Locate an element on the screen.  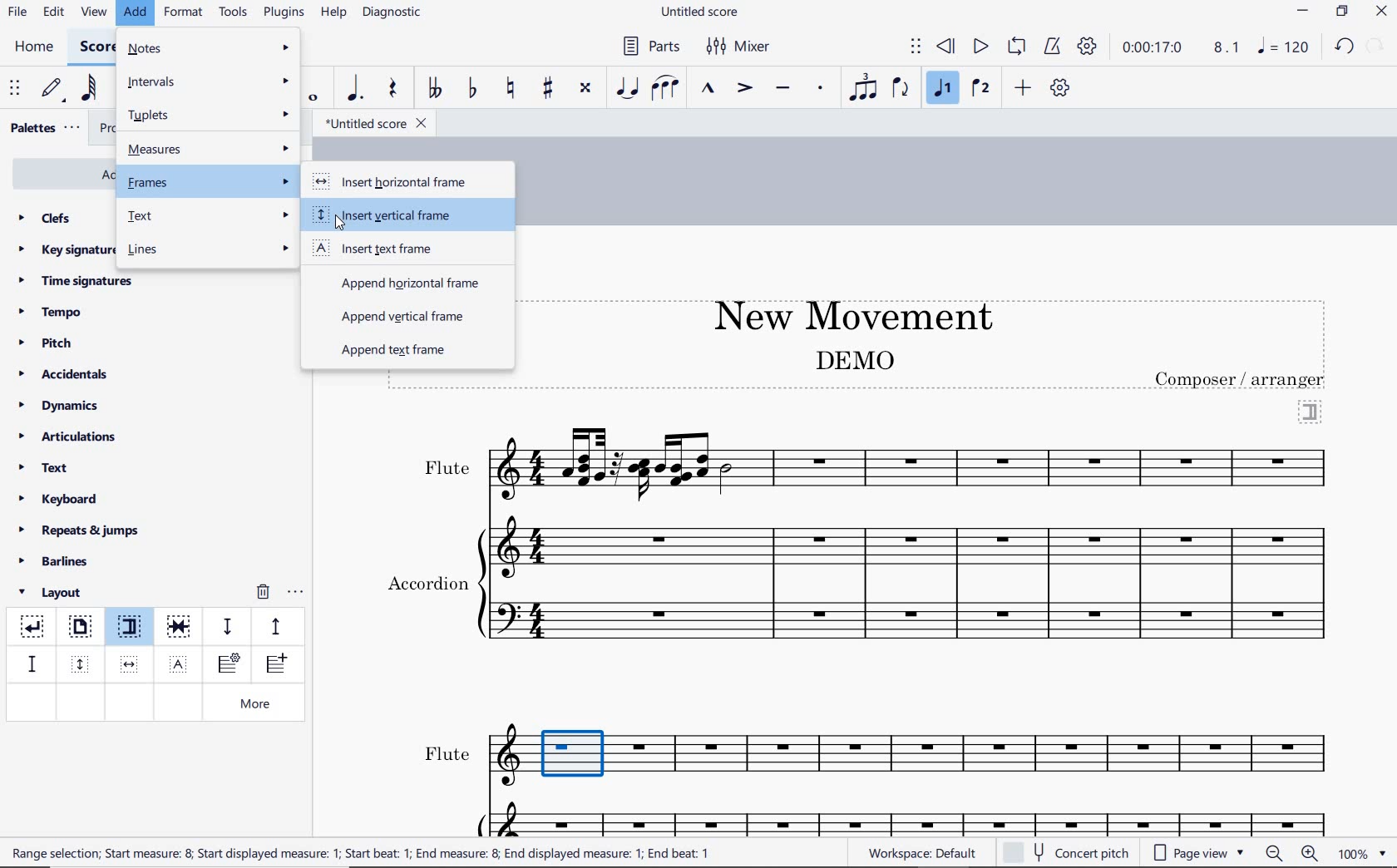
tuplet is located at coordinates (860, 87).